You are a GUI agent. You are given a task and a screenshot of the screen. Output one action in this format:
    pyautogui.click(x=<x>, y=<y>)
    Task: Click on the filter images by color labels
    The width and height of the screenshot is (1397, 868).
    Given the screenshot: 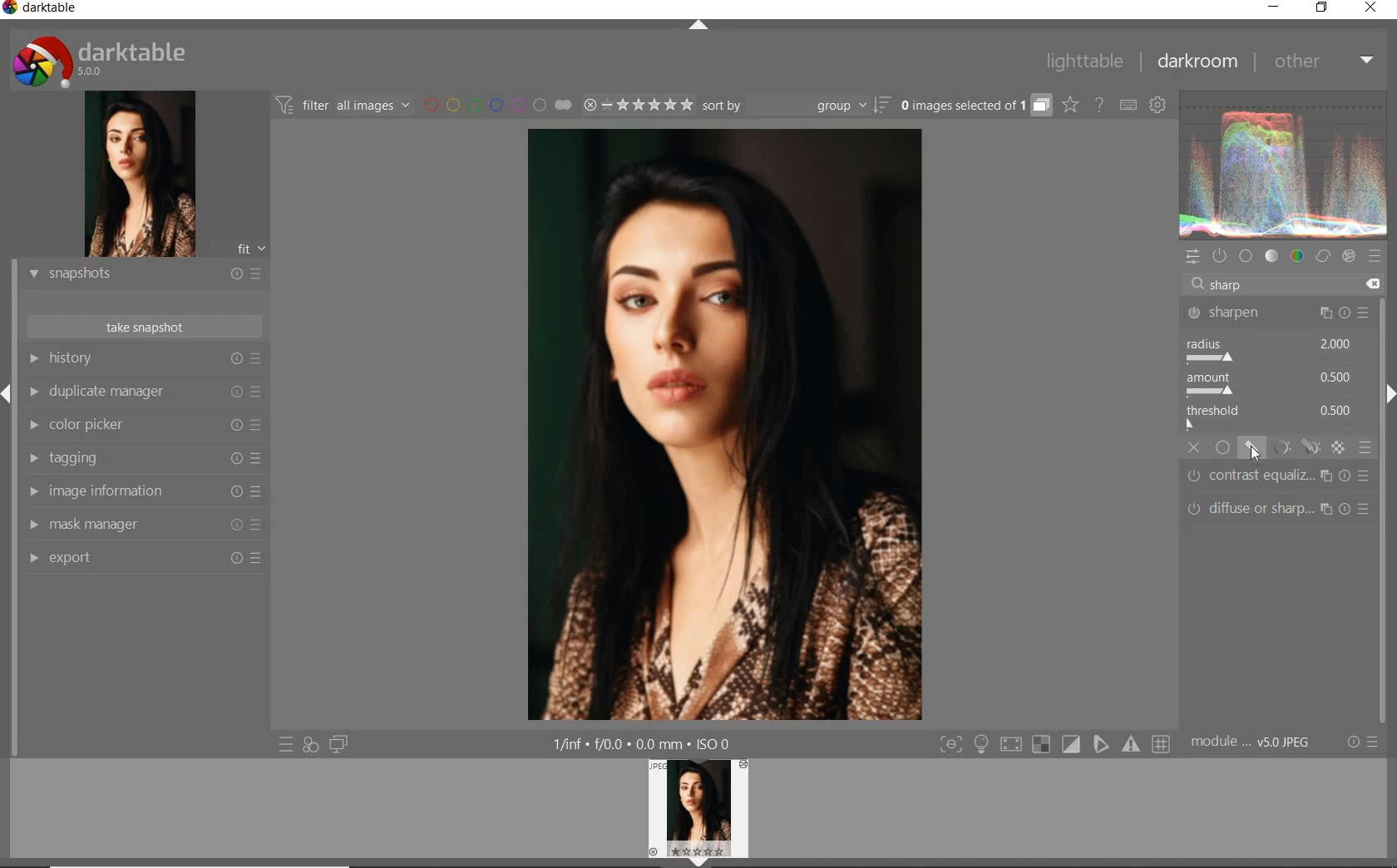 What is the action you would take?
    pyautogui.click(x=482, y=106)
    